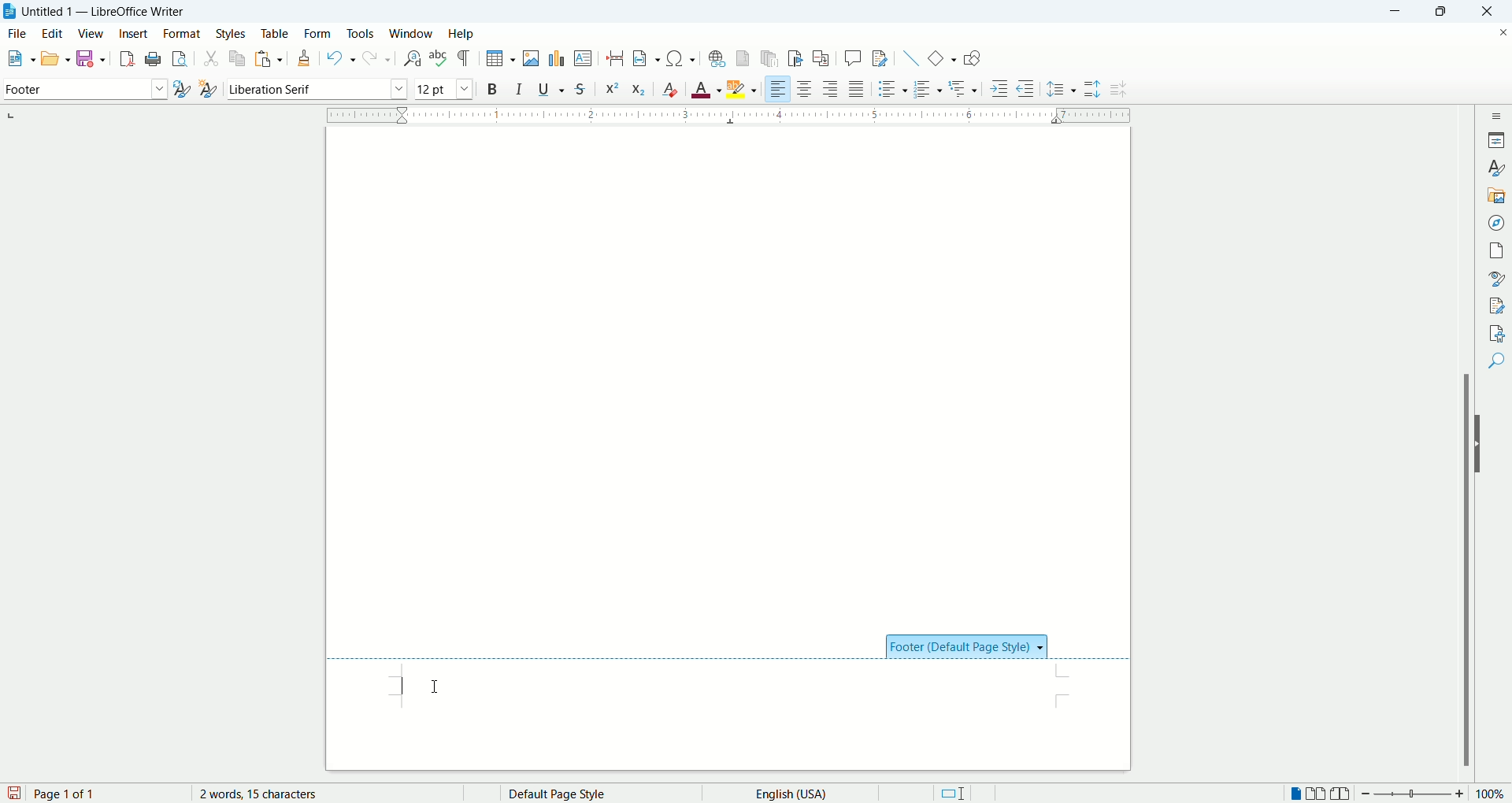 This screenshot has height=803, width=1512. What do you see at coordinates (730, 372) in the screenshot?
I see `main page` at bounding box center [730, 372].